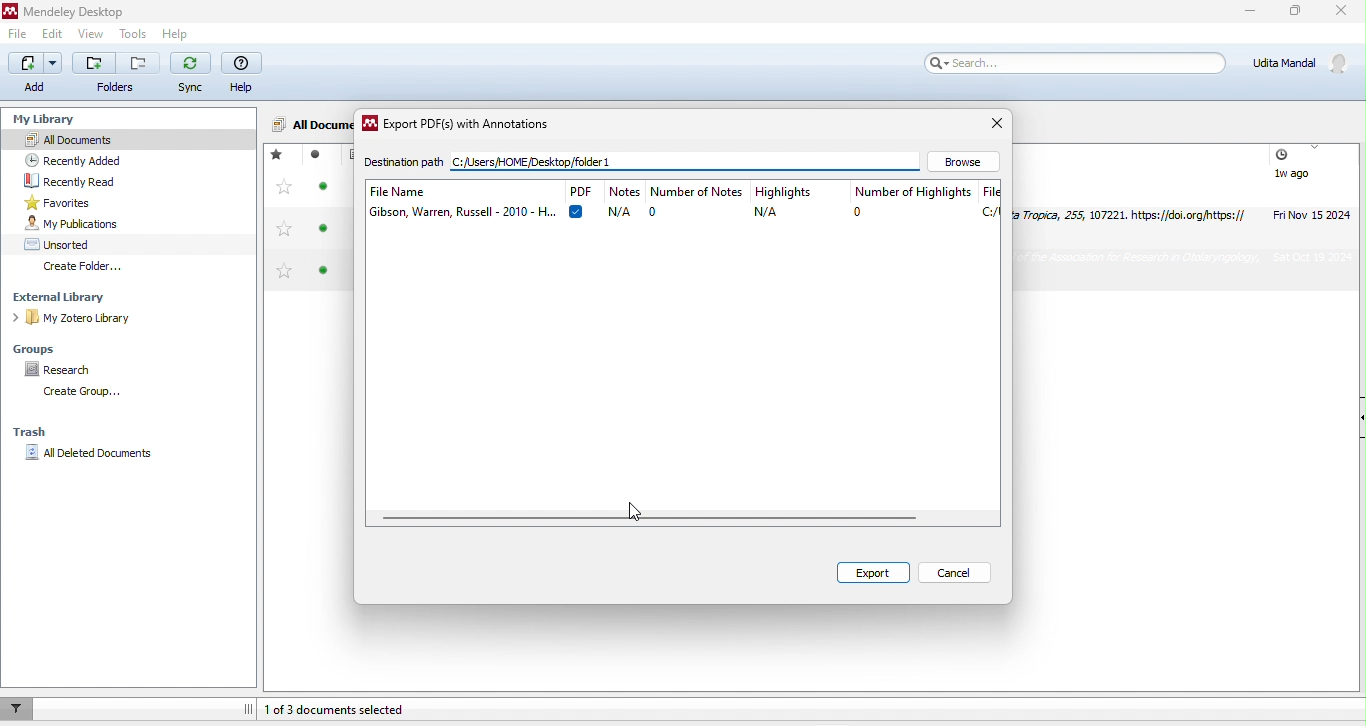  I want to click on close, so click(1344, 11).